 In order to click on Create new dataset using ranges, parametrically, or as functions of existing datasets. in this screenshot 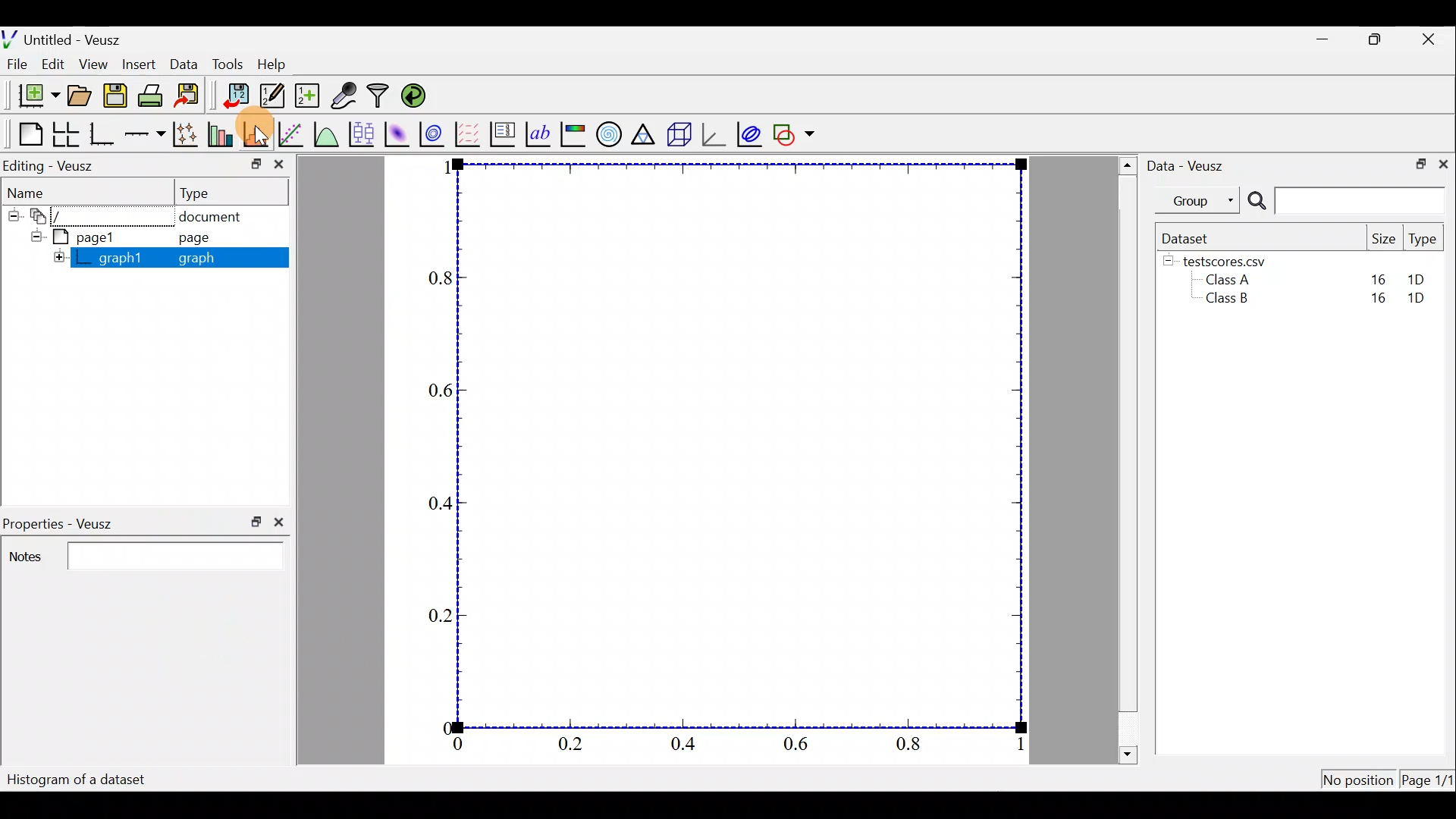, I will do `click(305, 95)`.